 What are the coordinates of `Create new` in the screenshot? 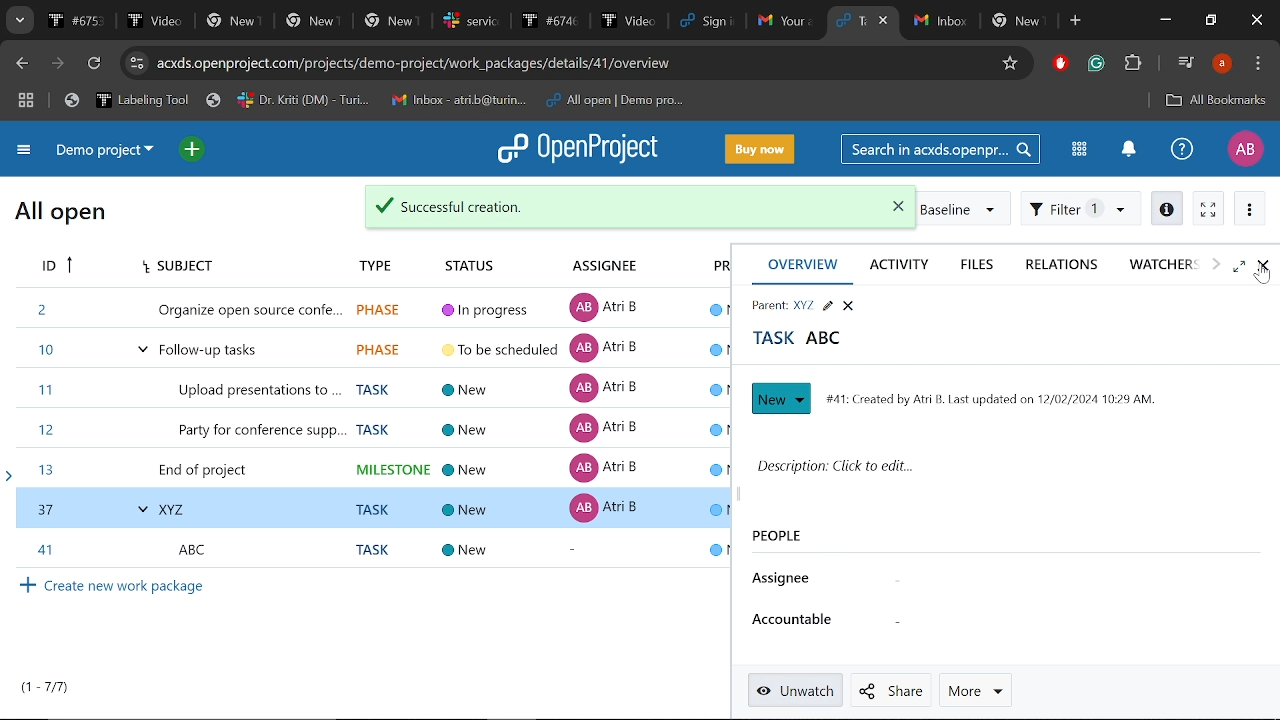 It's located at (779, 398).